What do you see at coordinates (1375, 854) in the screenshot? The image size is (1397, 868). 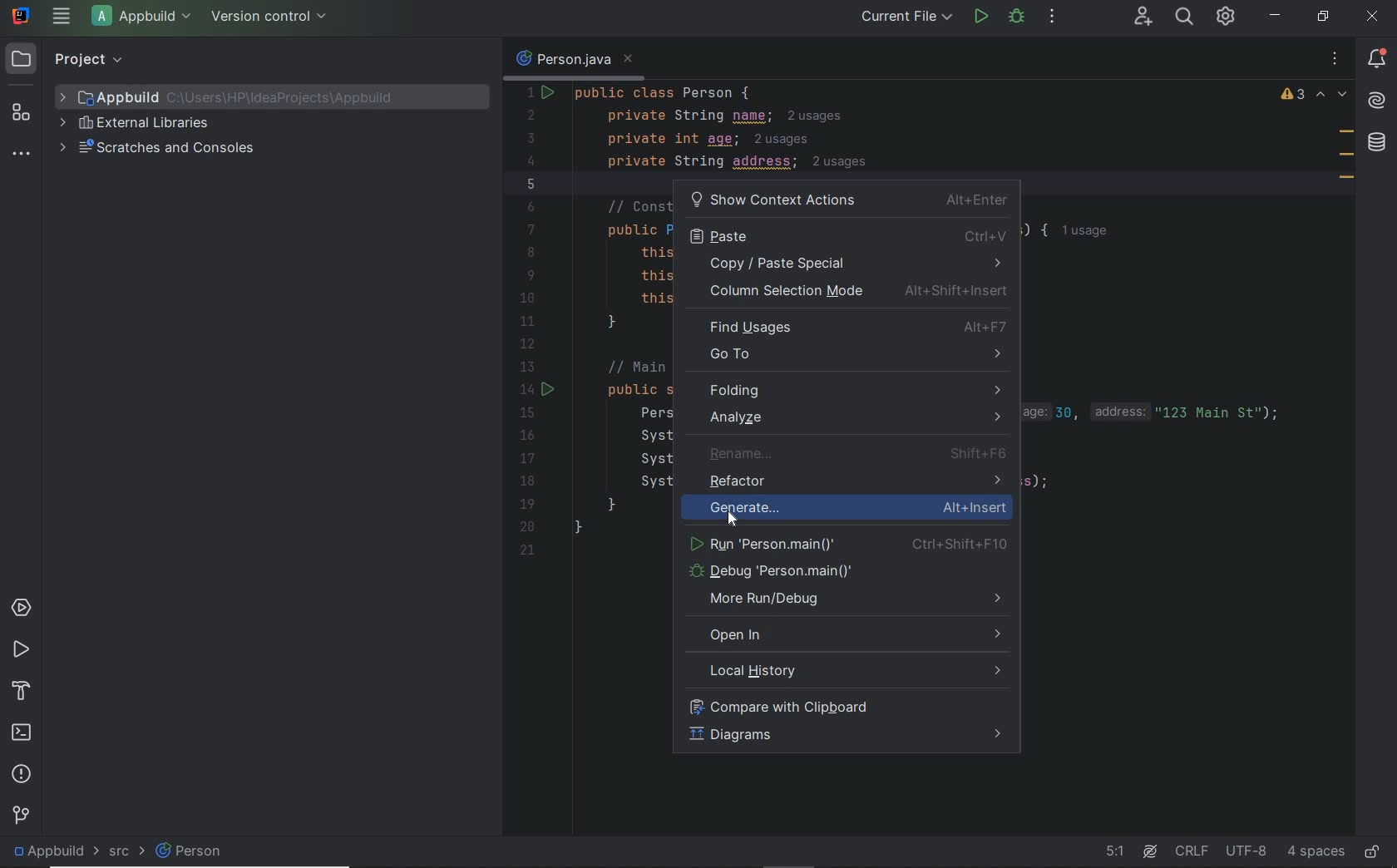 I see `make file ready only` at bounding box center [1375, 854].